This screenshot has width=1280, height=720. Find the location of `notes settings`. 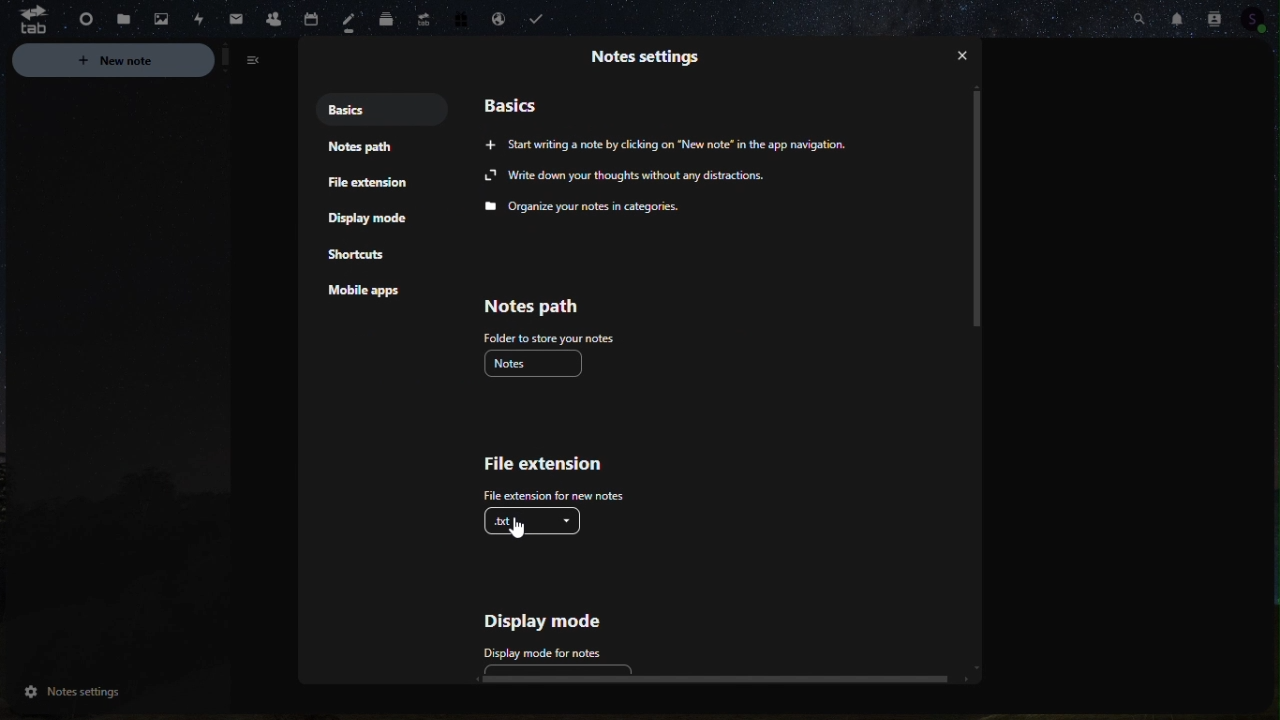

notes settings is located at coordinates (111, 693).